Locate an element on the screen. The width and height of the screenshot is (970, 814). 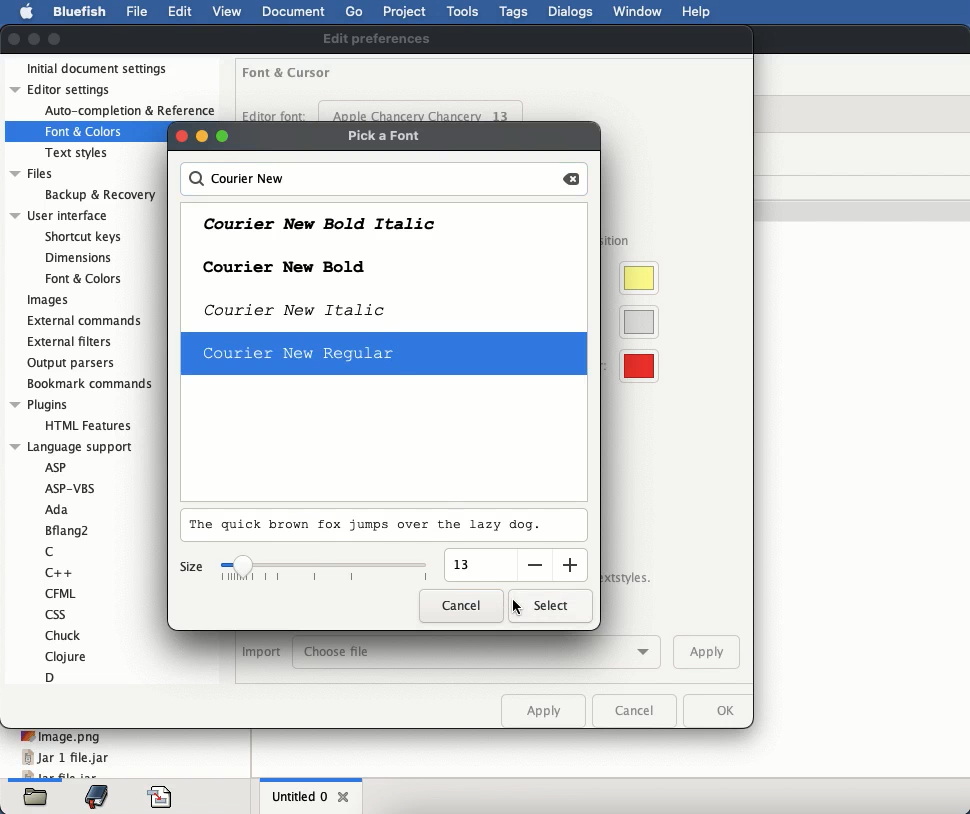
edit is located at coordinates (179, 11).